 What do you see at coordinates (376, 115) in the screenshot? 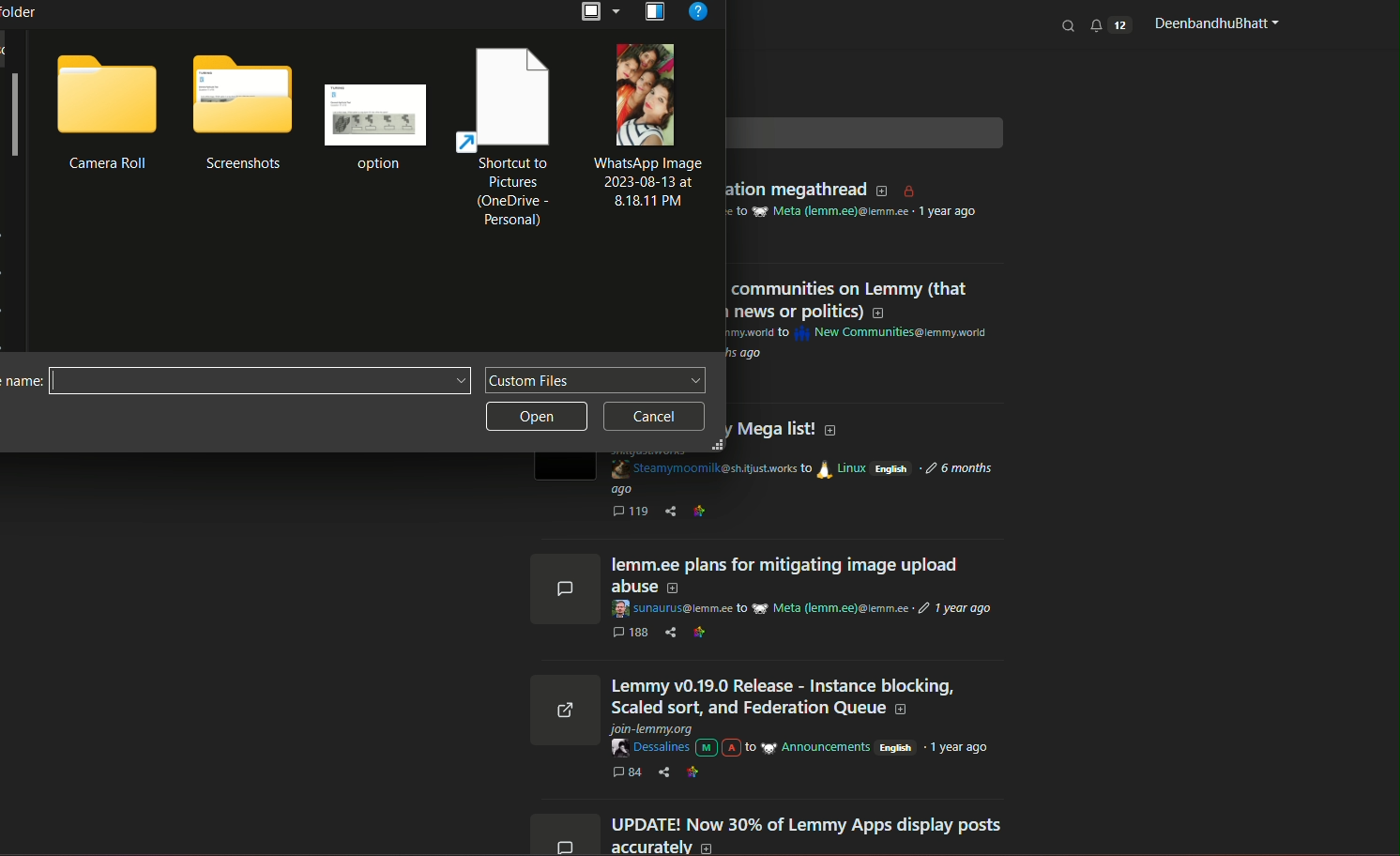
I see `image` at bounding box center [376, 115].